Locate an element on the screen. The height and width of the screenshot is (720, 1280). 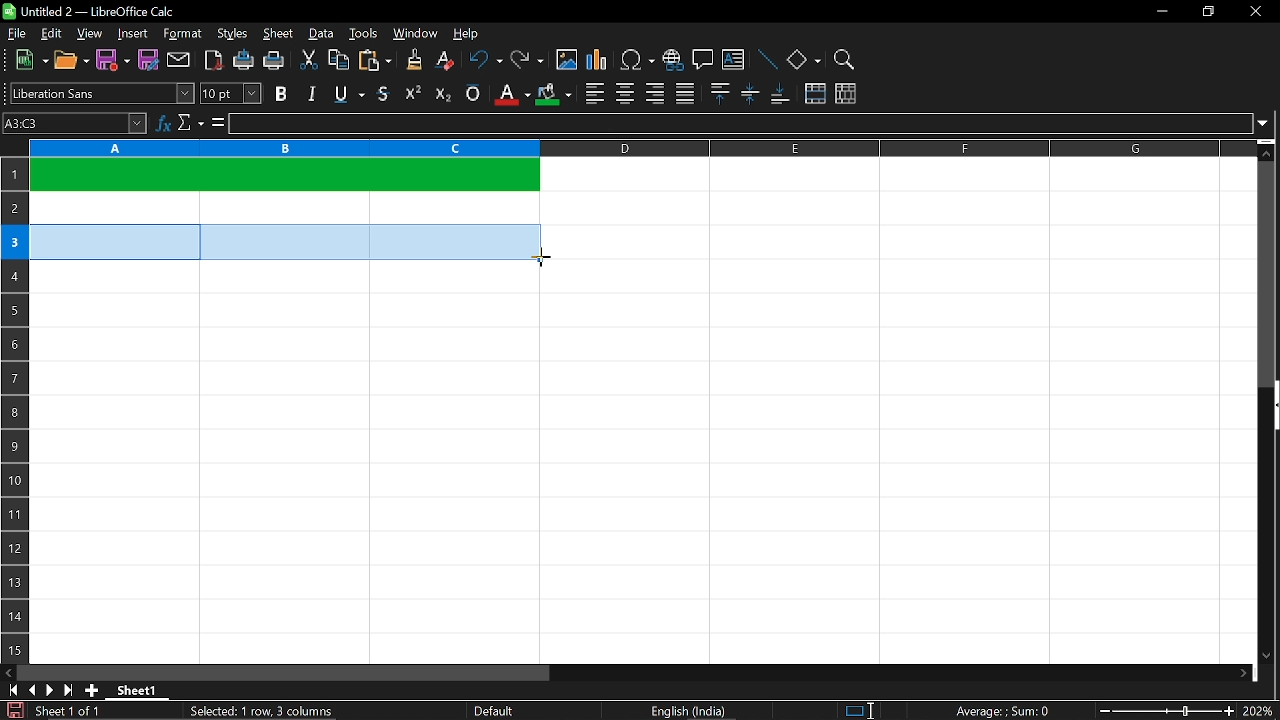
insert text is located at coordinates (734, 59).